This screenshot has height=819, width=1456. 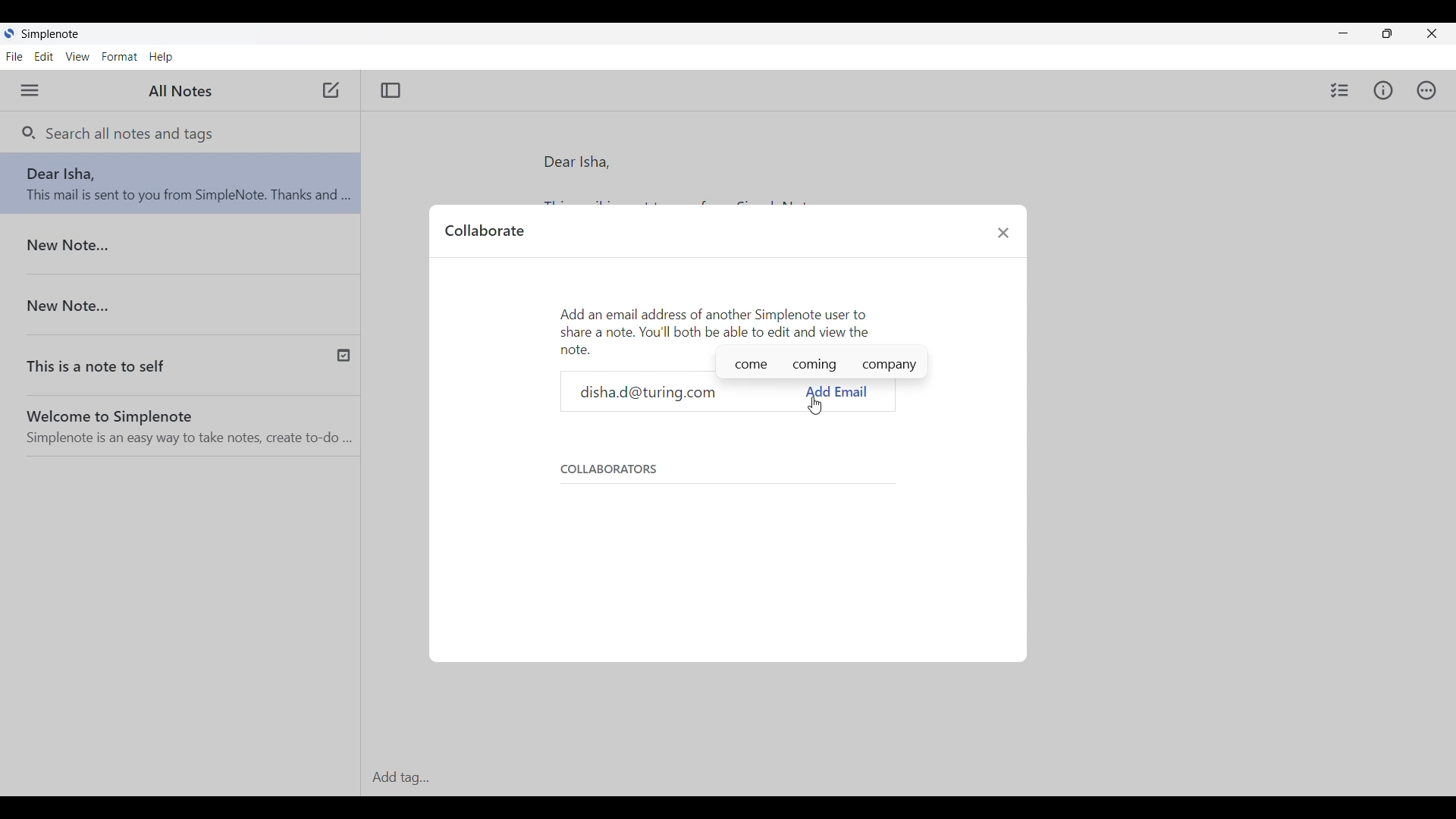 I want to click on View, so click(x=78, y=56).